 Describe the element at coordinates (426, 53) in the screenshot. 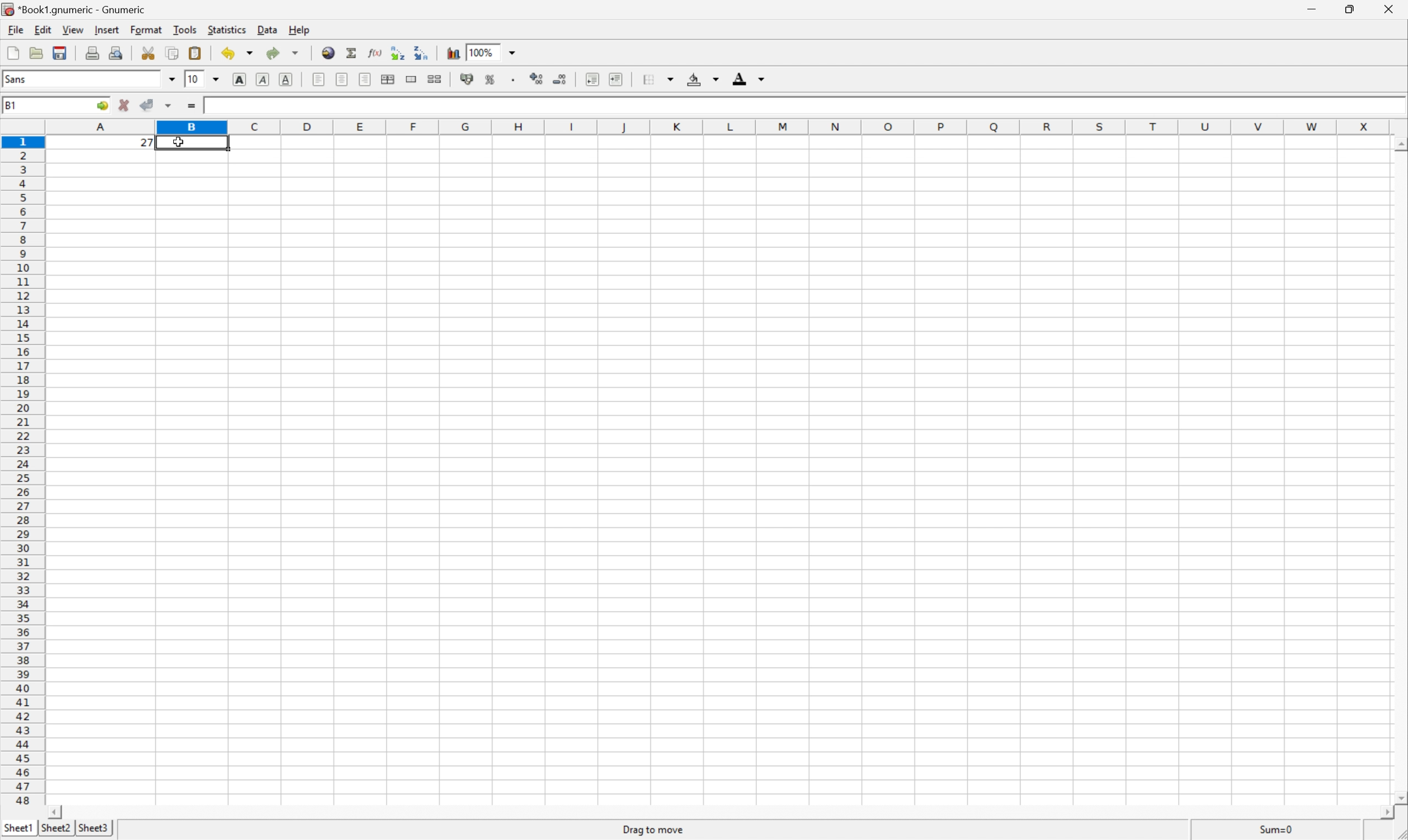

I see `Sort the selected region in descending order based on the first column selected` at that location.